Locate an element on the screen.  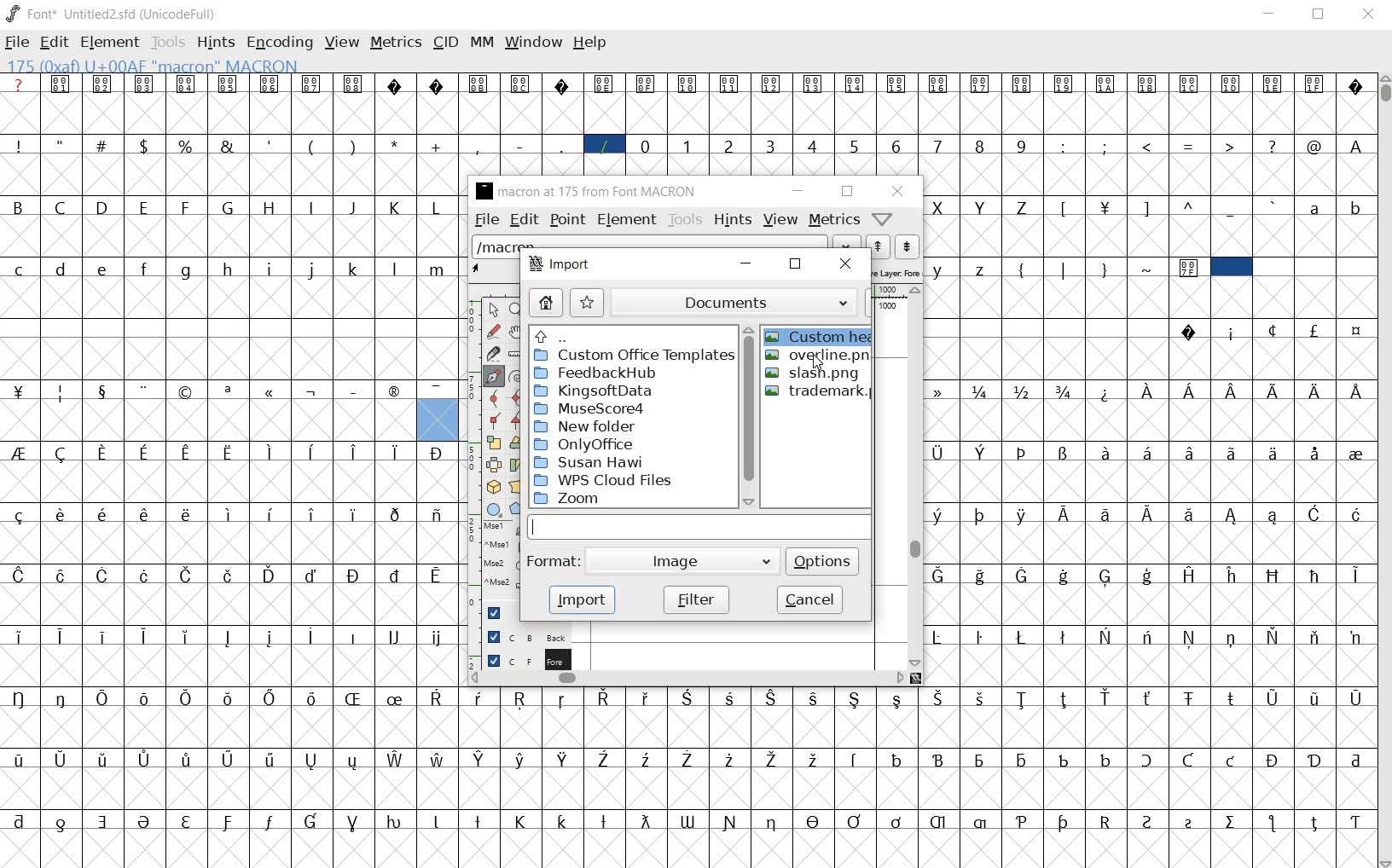
- is located at coordinates (519, 145).